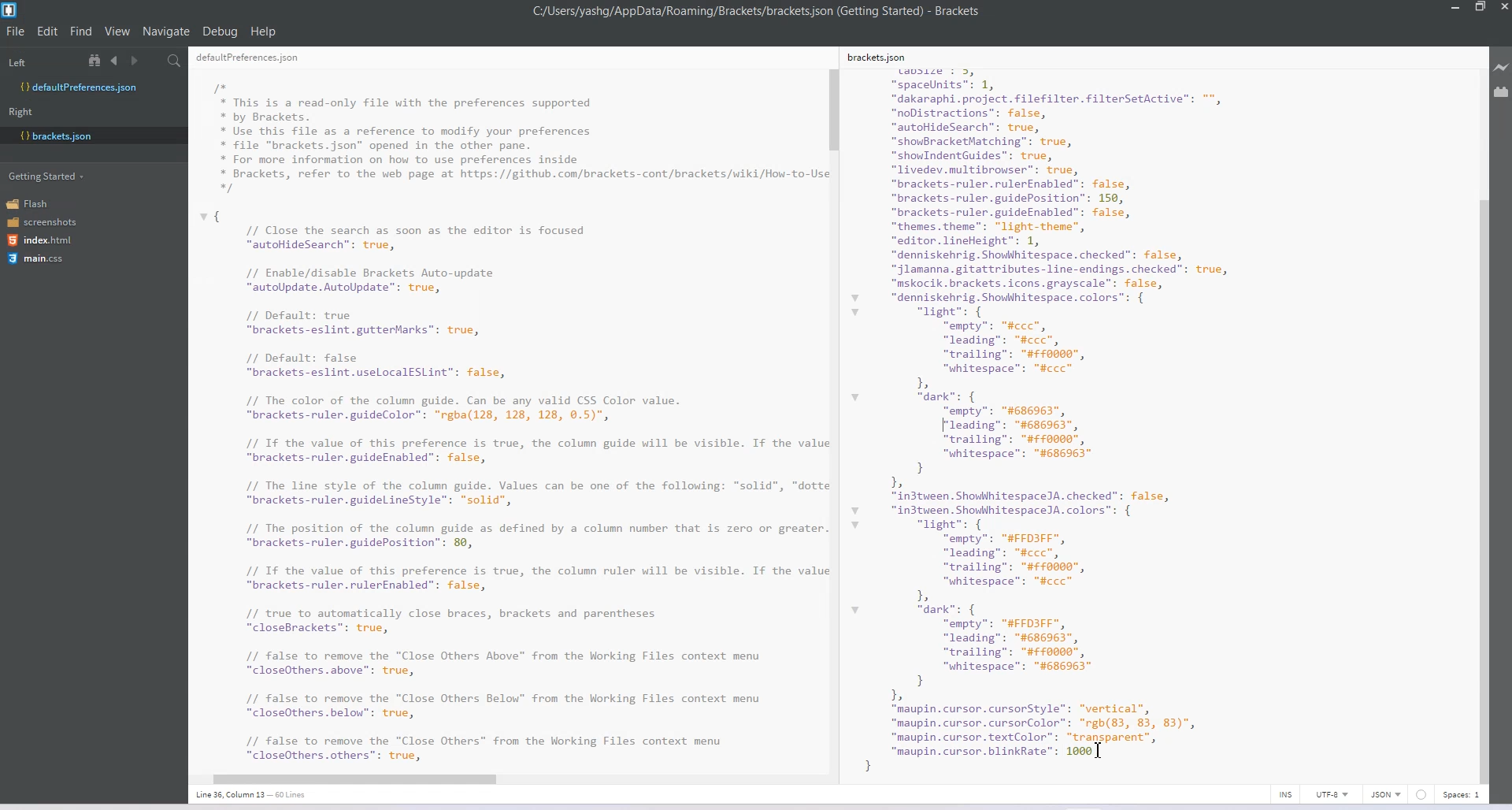 Image resolution: width=1512 pixels, height=810 pixels. What do you see at coordinates (502, 776) in the screenshot?
I see `Horizontal Scroll Bar` at bounding box center [502, 776].